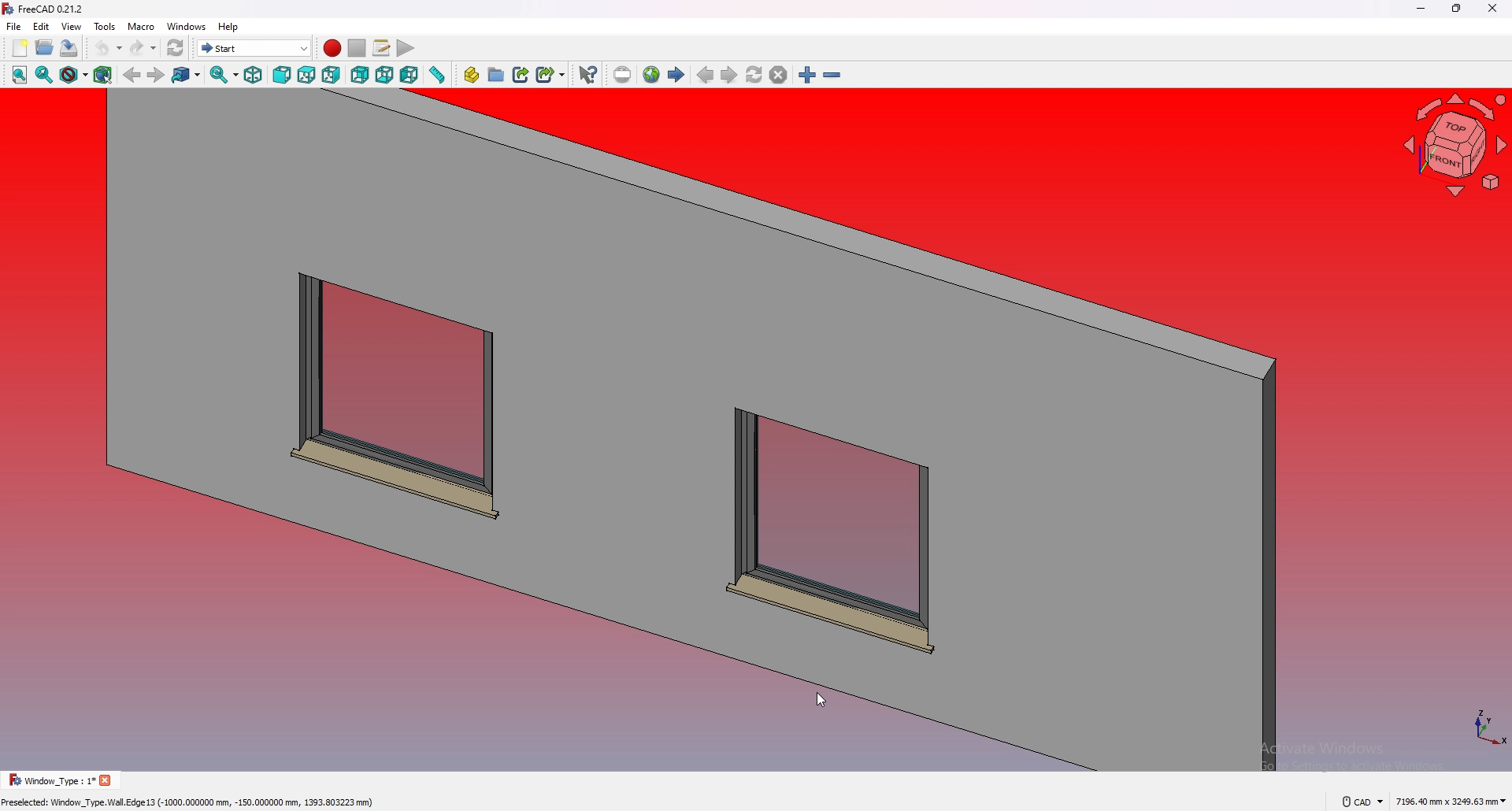  I want to click on close, so click(1492, 9).